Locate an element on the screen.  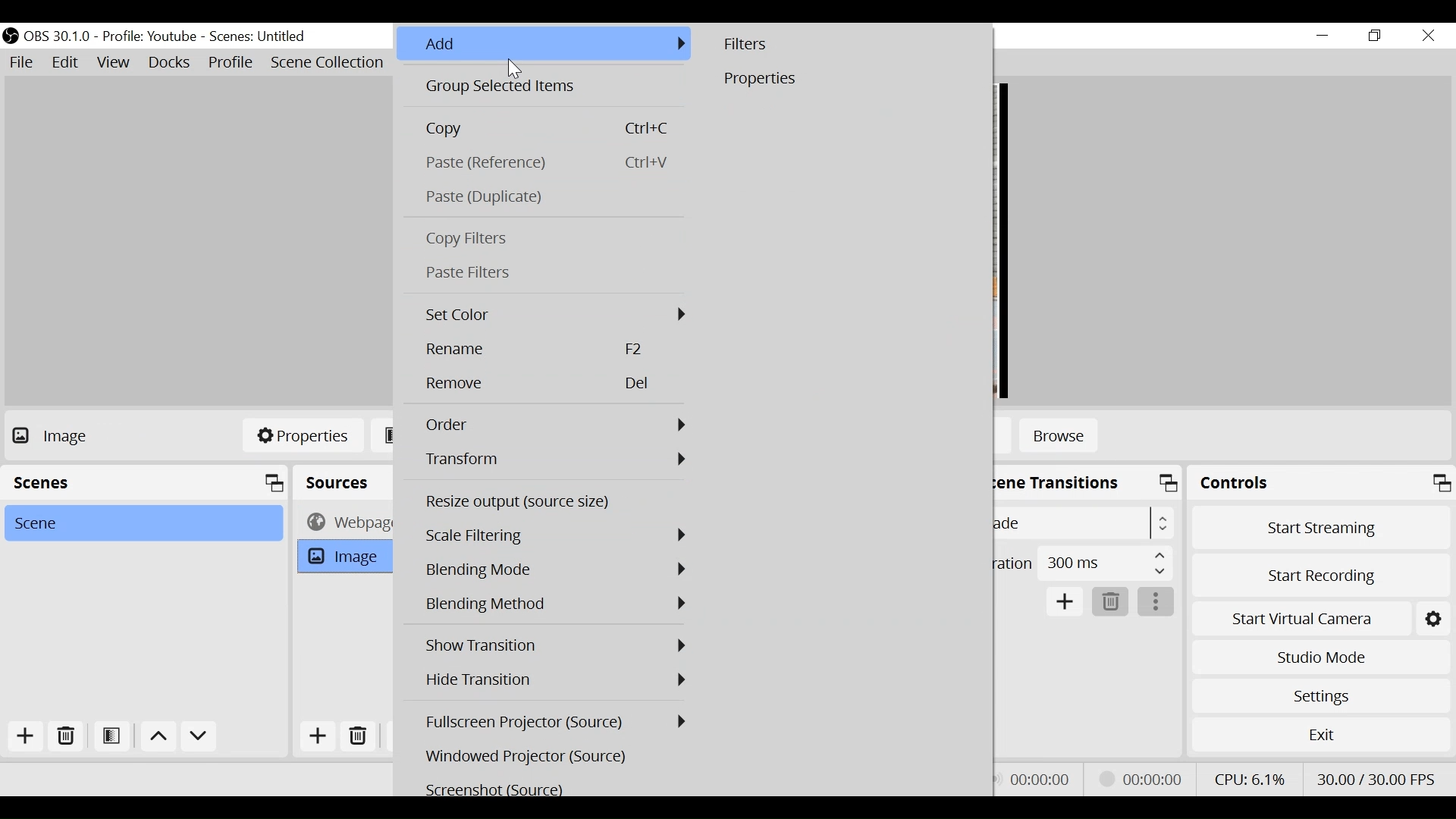
more options is located at coordinates (1156, 602).